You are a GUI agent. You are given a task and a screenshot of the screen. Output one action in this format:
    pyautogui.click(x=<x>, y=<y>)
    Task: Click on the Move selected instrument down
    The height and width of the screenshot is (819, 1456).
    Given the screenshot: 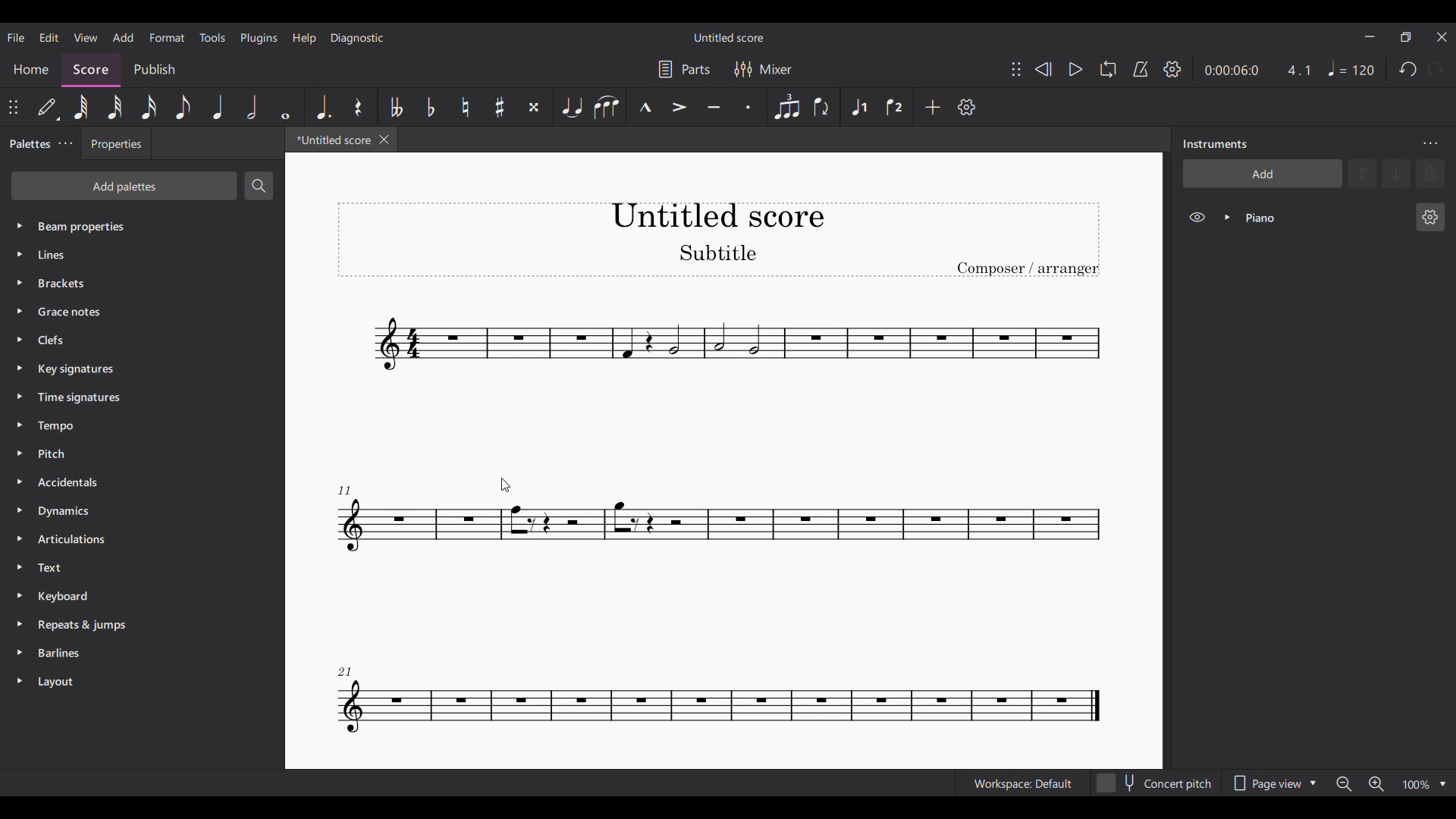 What is the action you would take?
    pyautogui.click(x=1396, y=173)
    